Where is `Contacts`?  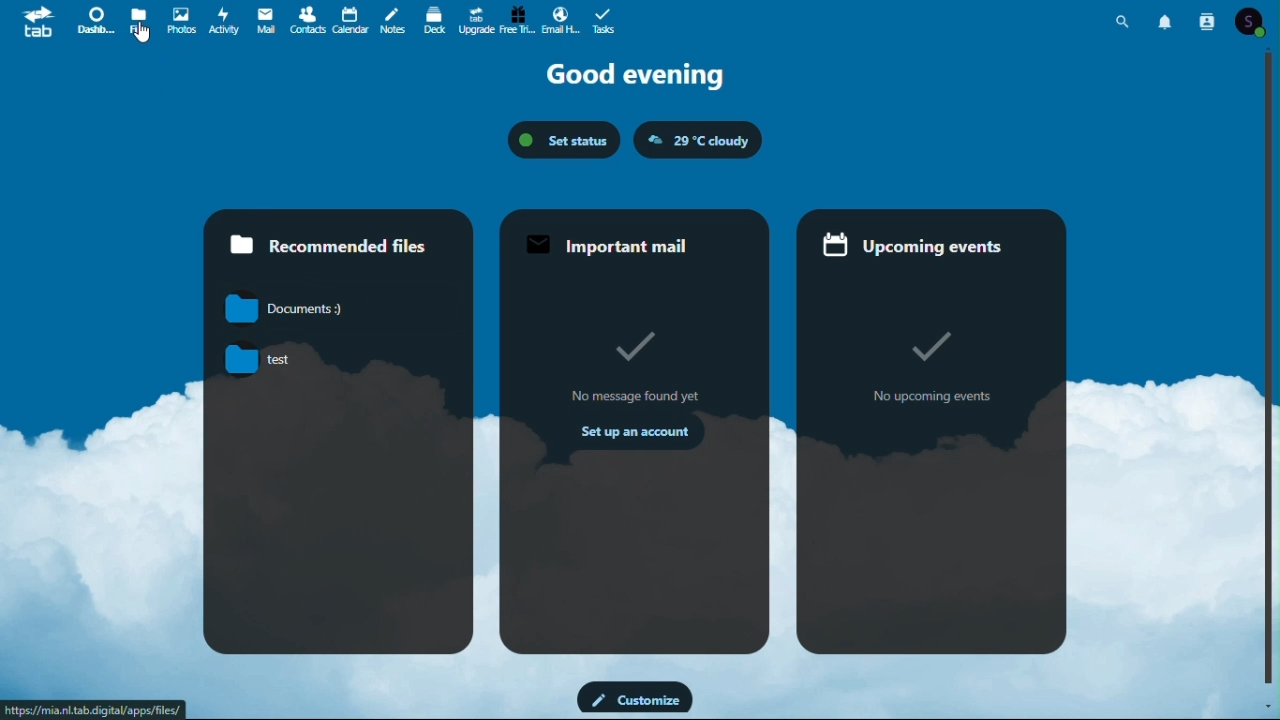 Contacts is located at coordinates (1210, 20).